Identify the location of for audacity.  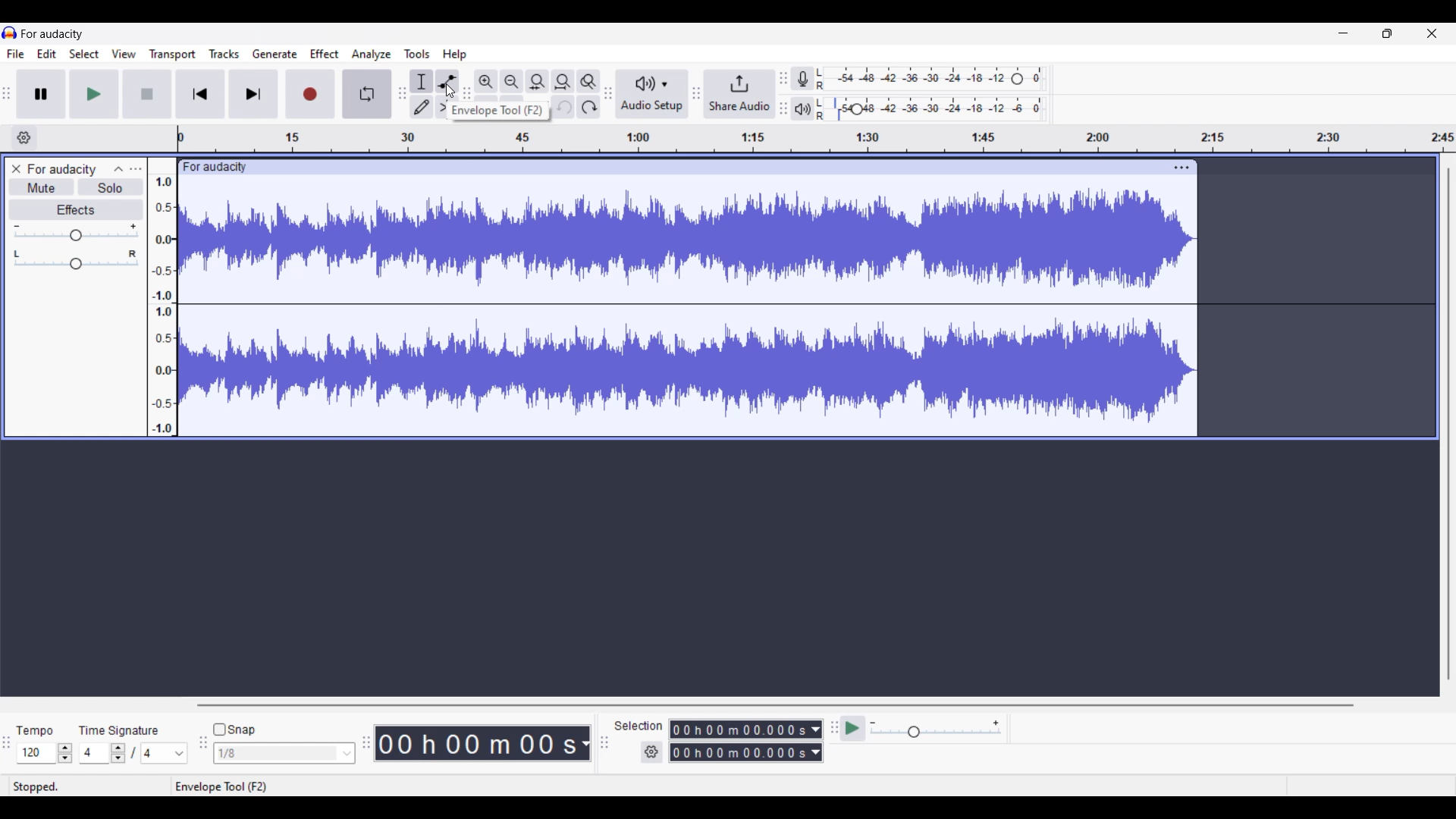
(53, 34).